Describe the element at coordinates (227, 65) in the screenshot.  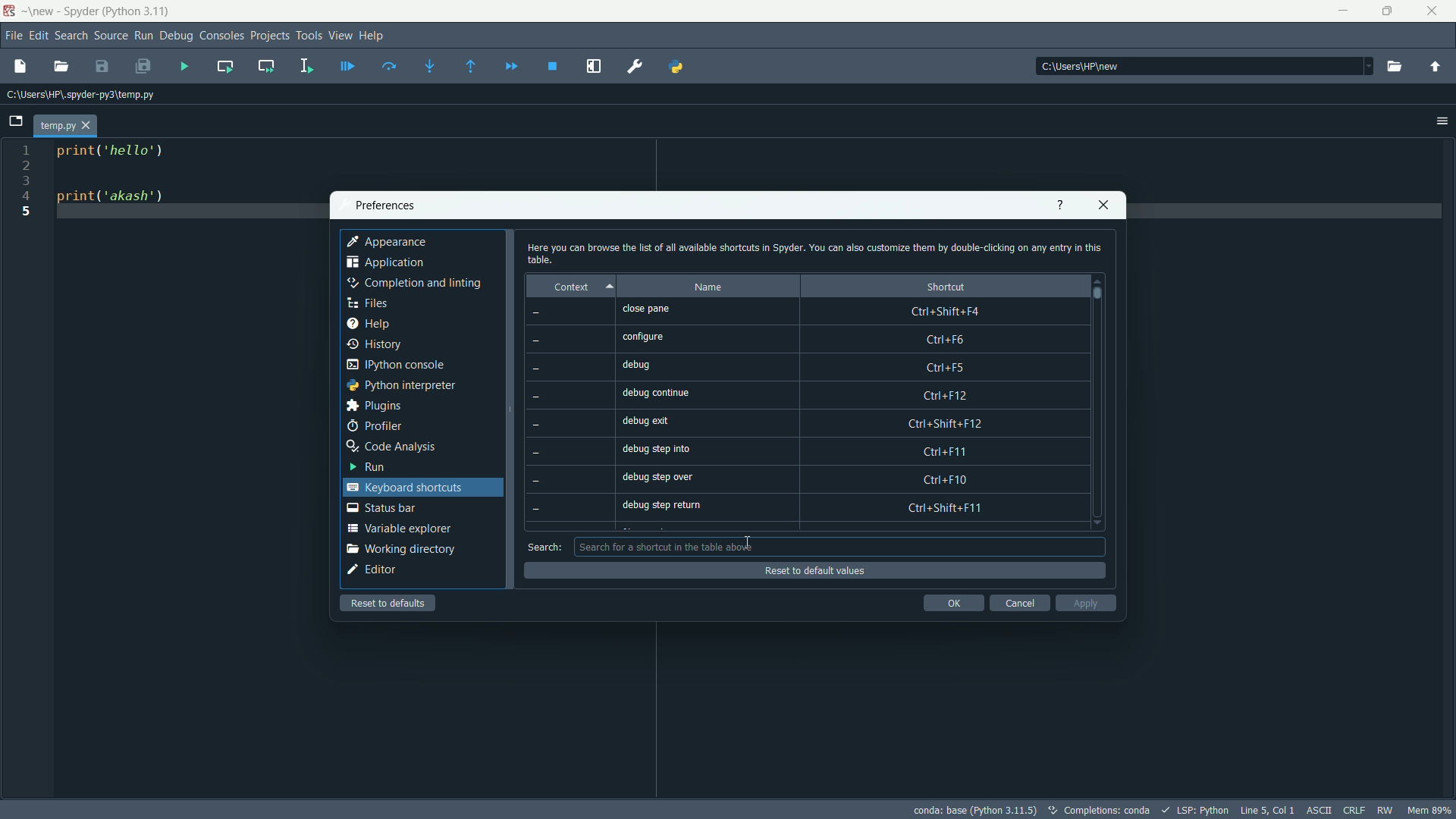
I see `run current cell` at that location.